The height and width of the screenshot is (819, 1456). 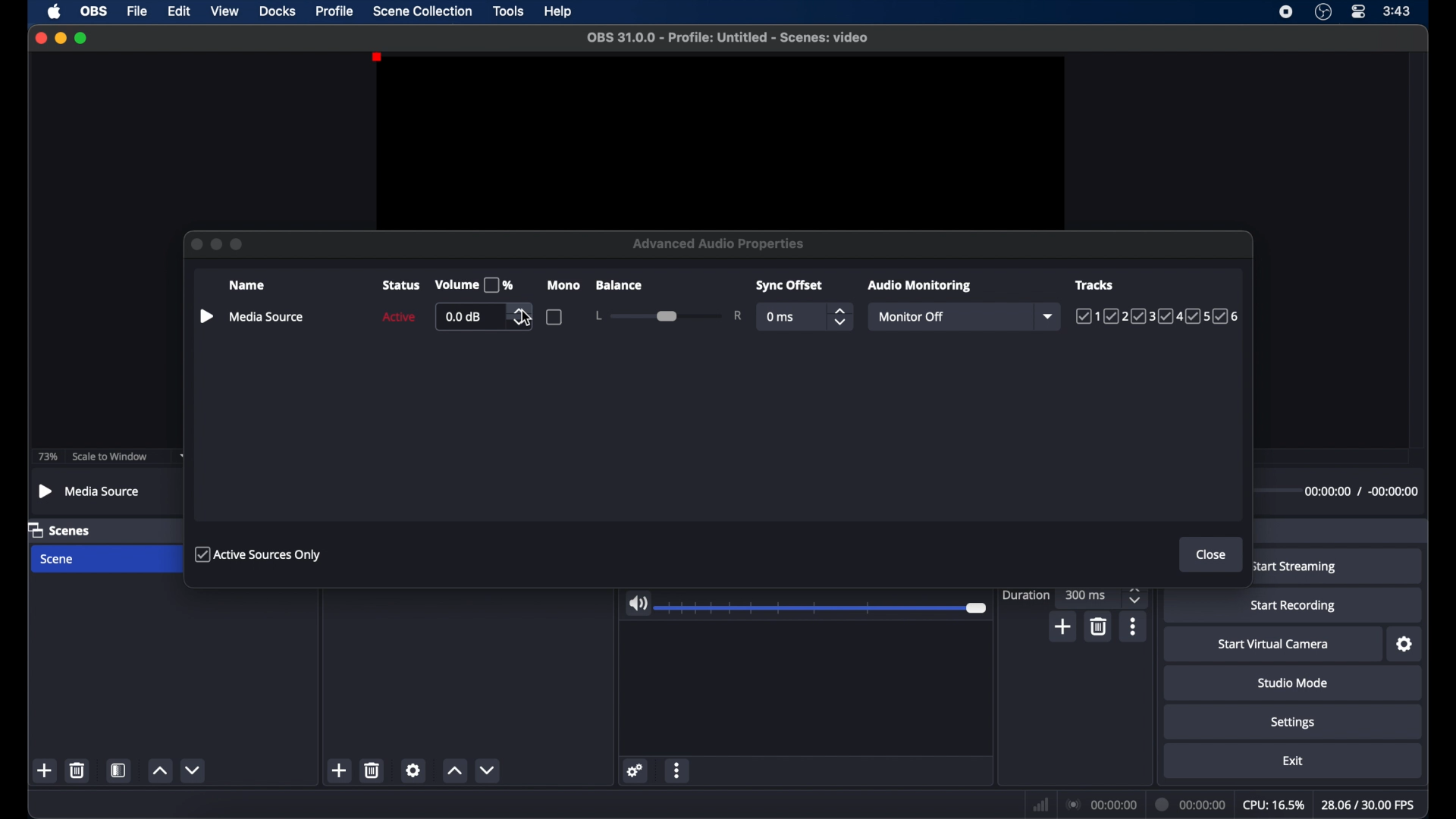 What do you see at coordinates (719, 243) in the screenshot?
I see `advanced audio properties` at bounding box center [719, 243].